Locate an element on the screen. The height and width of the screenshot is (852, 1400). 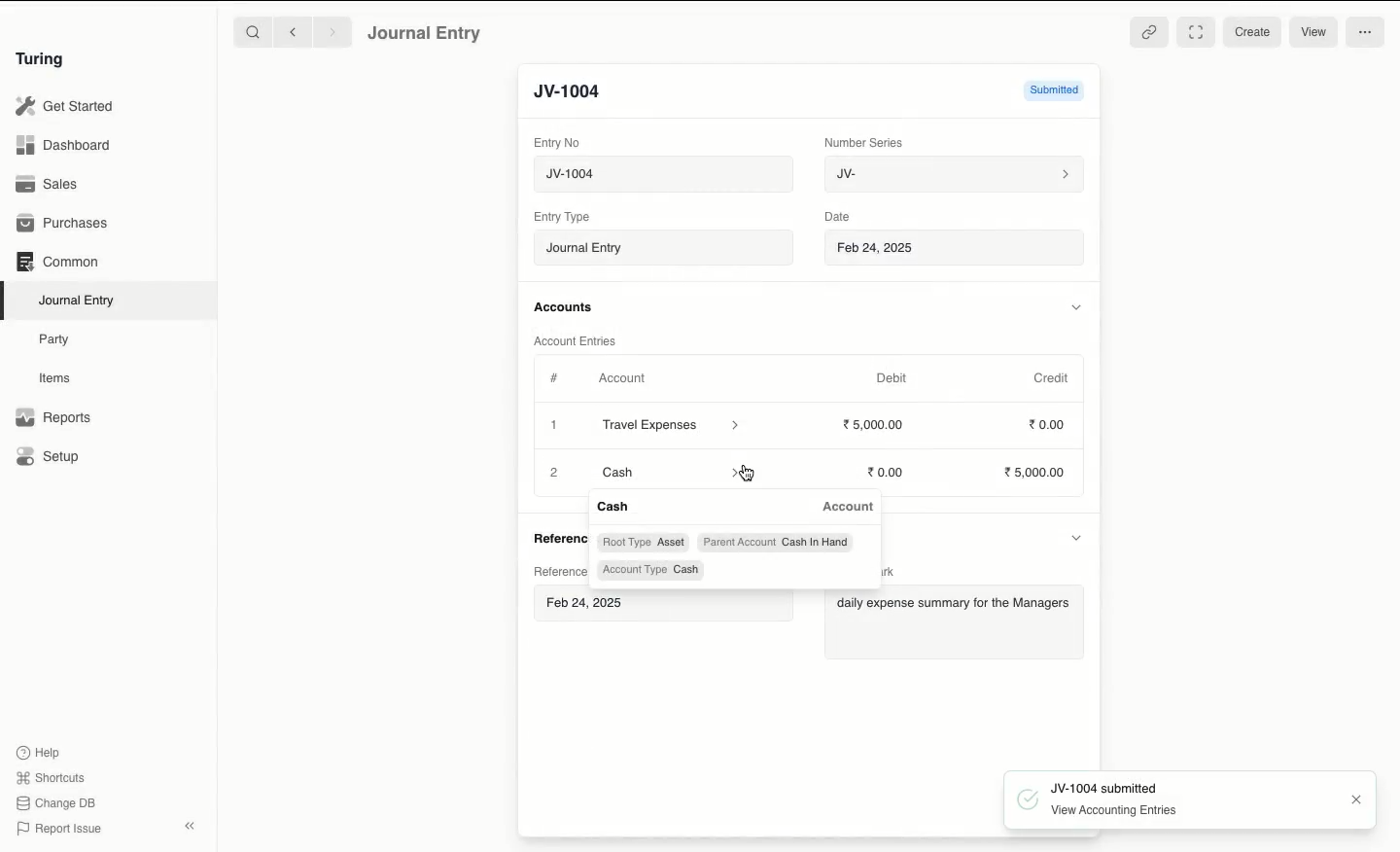
Dashboard is located at coordinates (63, 146).